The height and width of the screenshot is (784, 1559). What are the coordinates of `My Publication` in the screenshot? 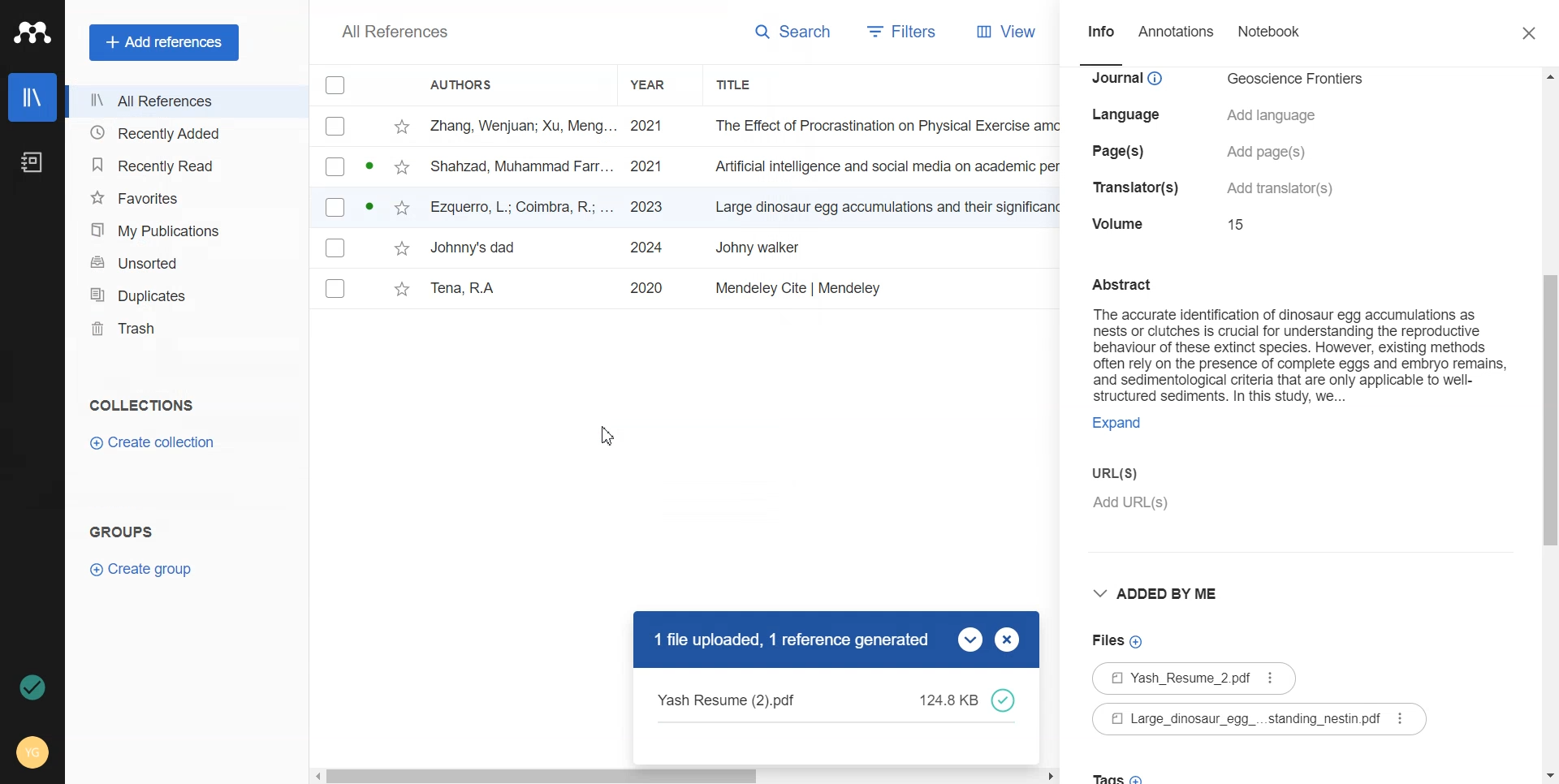 It's located at (185, 229).